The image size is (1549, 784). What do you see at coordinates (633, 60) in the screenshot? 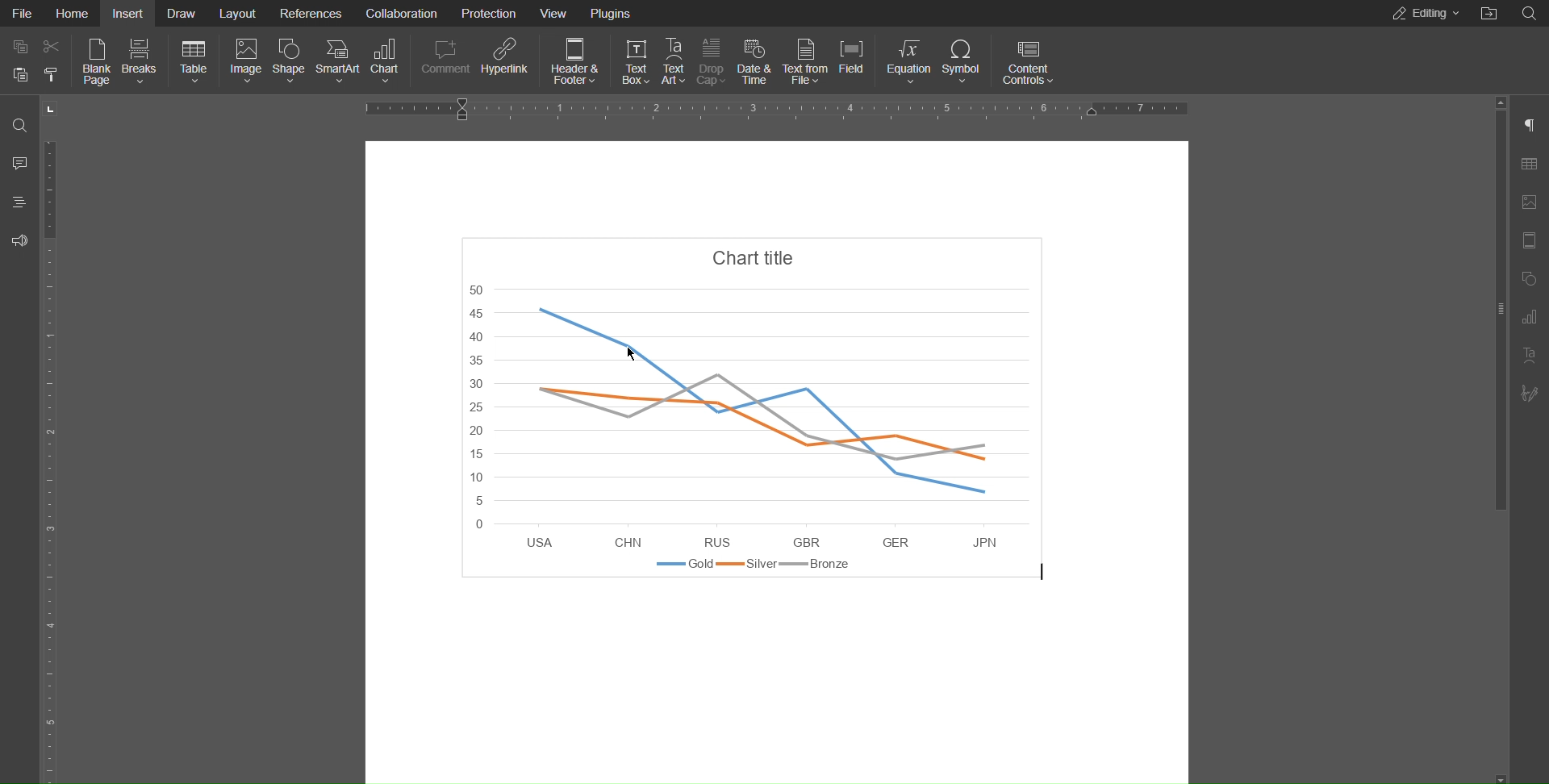
I see `Text Box` at bounding box center [633, 60].